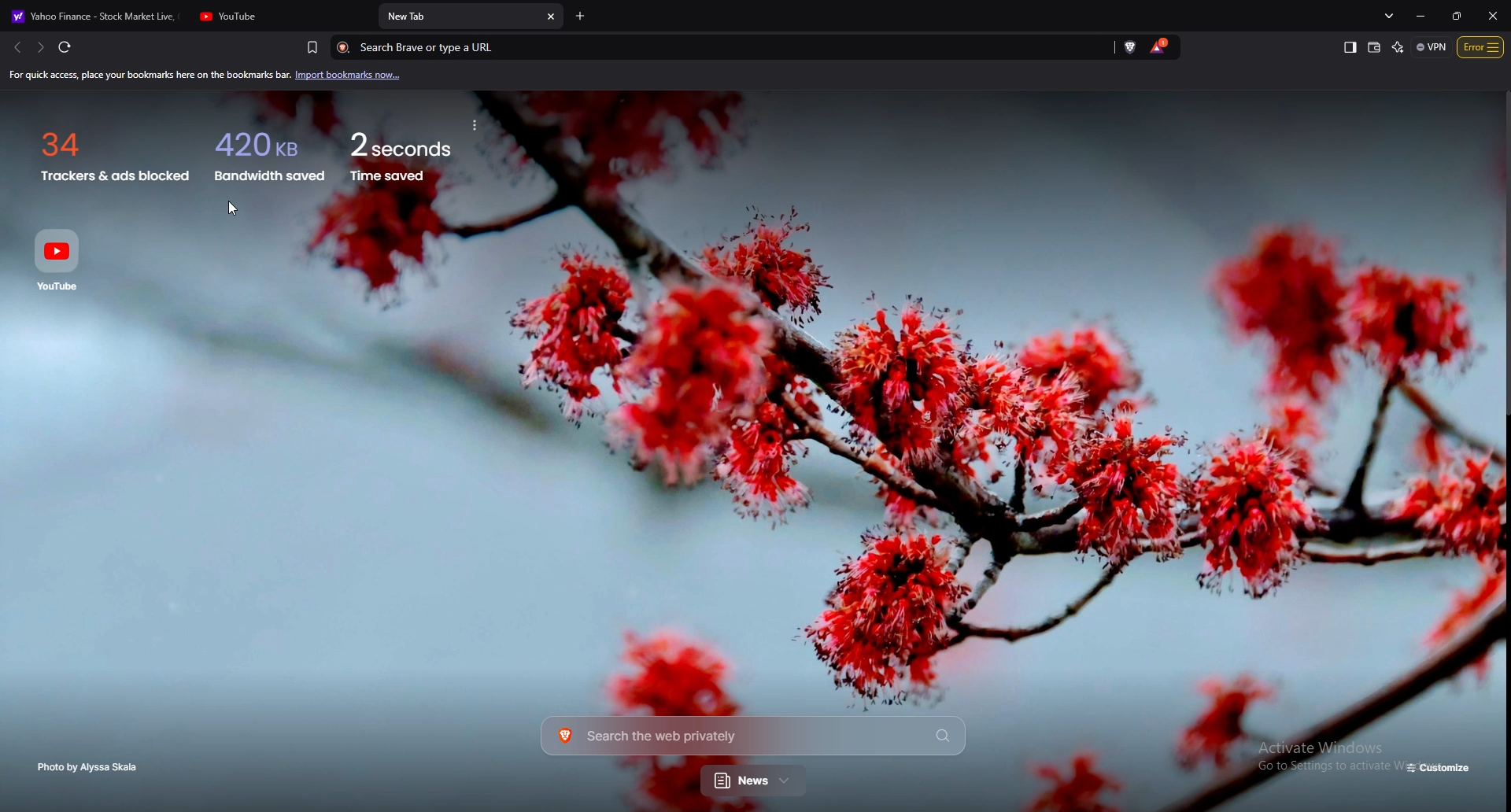 This screenshot has width=1511, height=812. Describe the element at coordinates (581, 17) in the screenshot. I see `add tab` at that location.